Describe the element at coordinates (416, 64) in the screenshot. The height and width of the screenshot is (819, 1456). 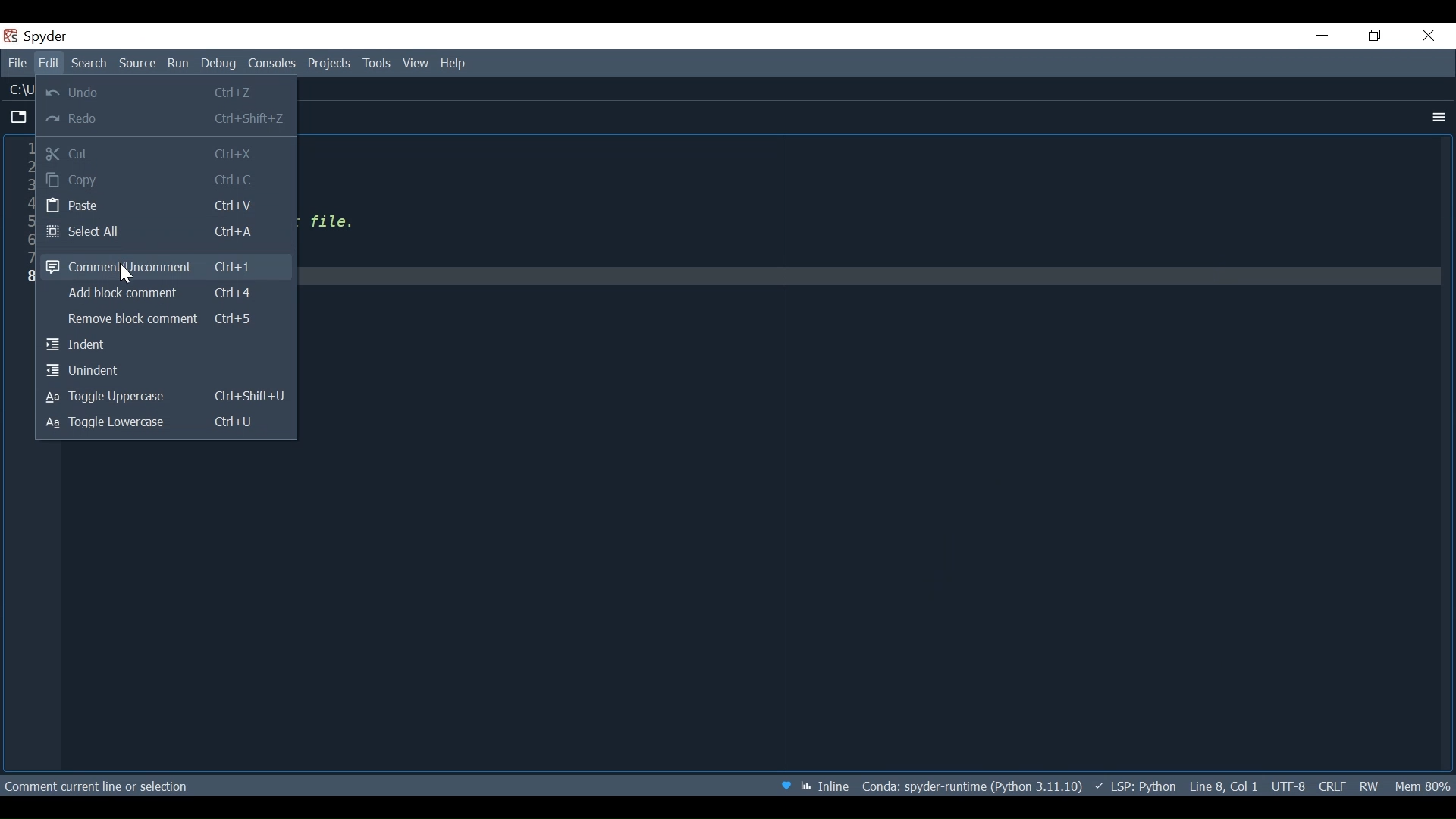
I see `View` at that location.